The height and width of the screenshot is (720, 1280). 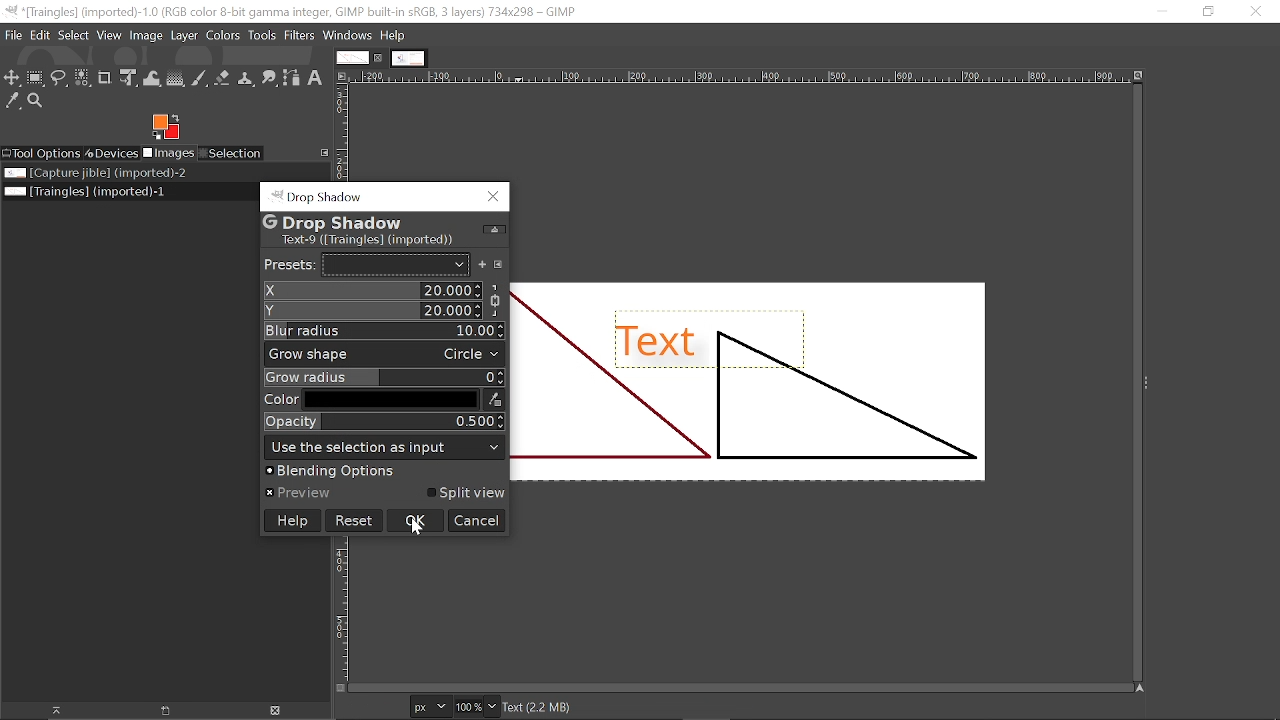 I want to click on Manage presets, so click(x=502, y=264).